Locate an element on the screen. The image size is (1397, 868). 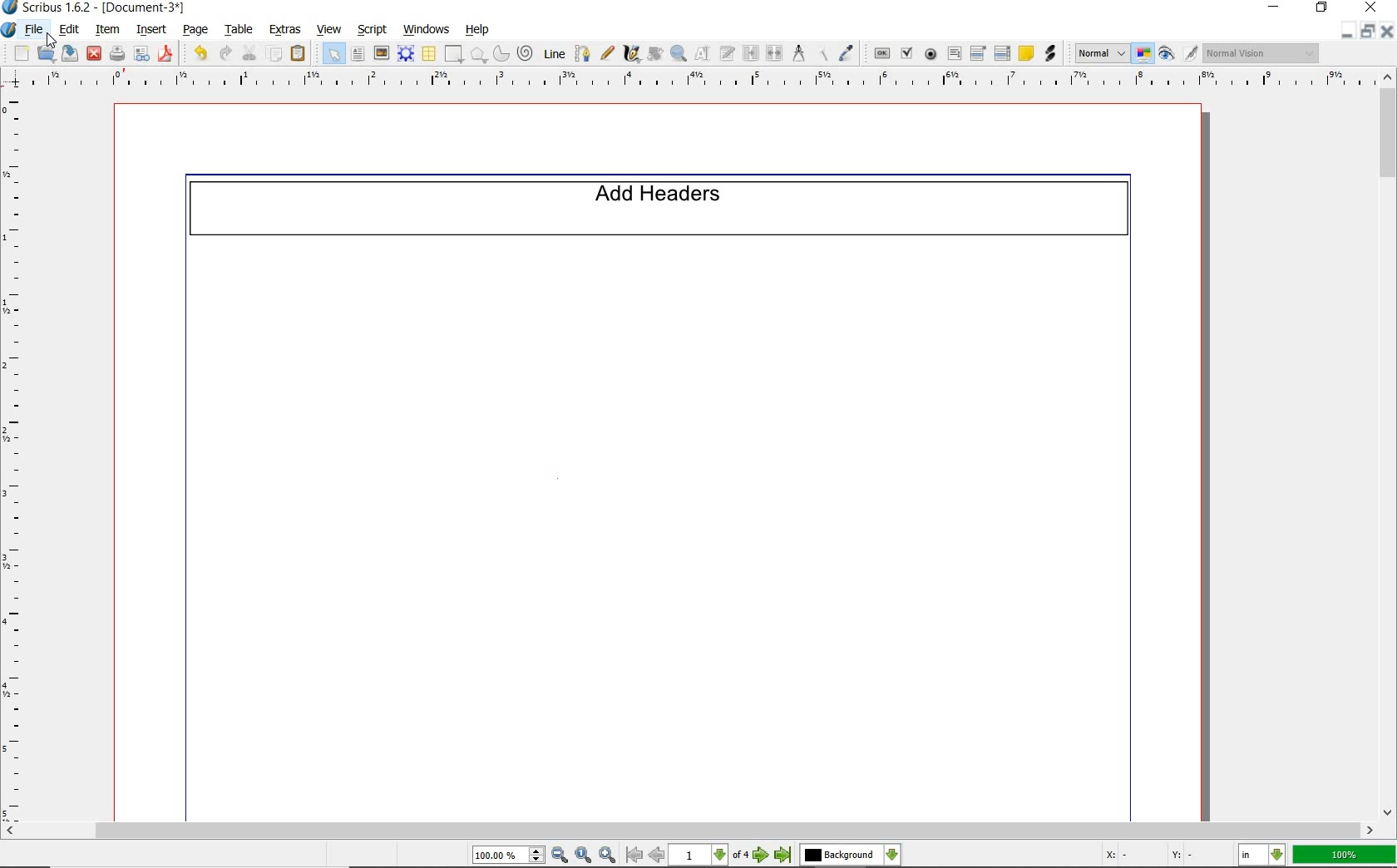
go to previous page is located at coordinates (658, 856).